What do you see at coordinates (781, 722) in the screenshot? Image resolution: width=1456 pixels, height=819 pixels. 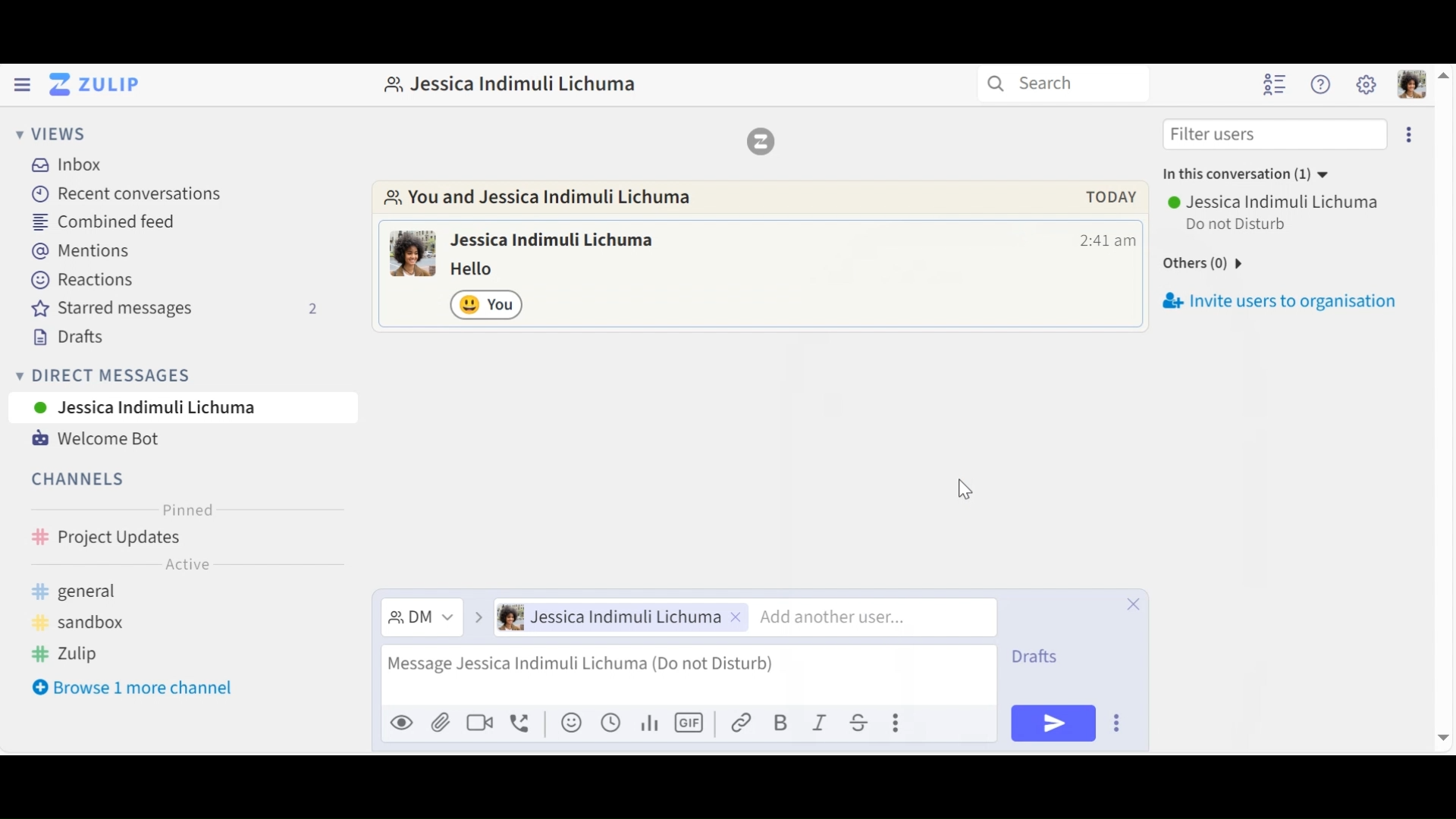 I see `Bold` at bounding box center [781, 722].